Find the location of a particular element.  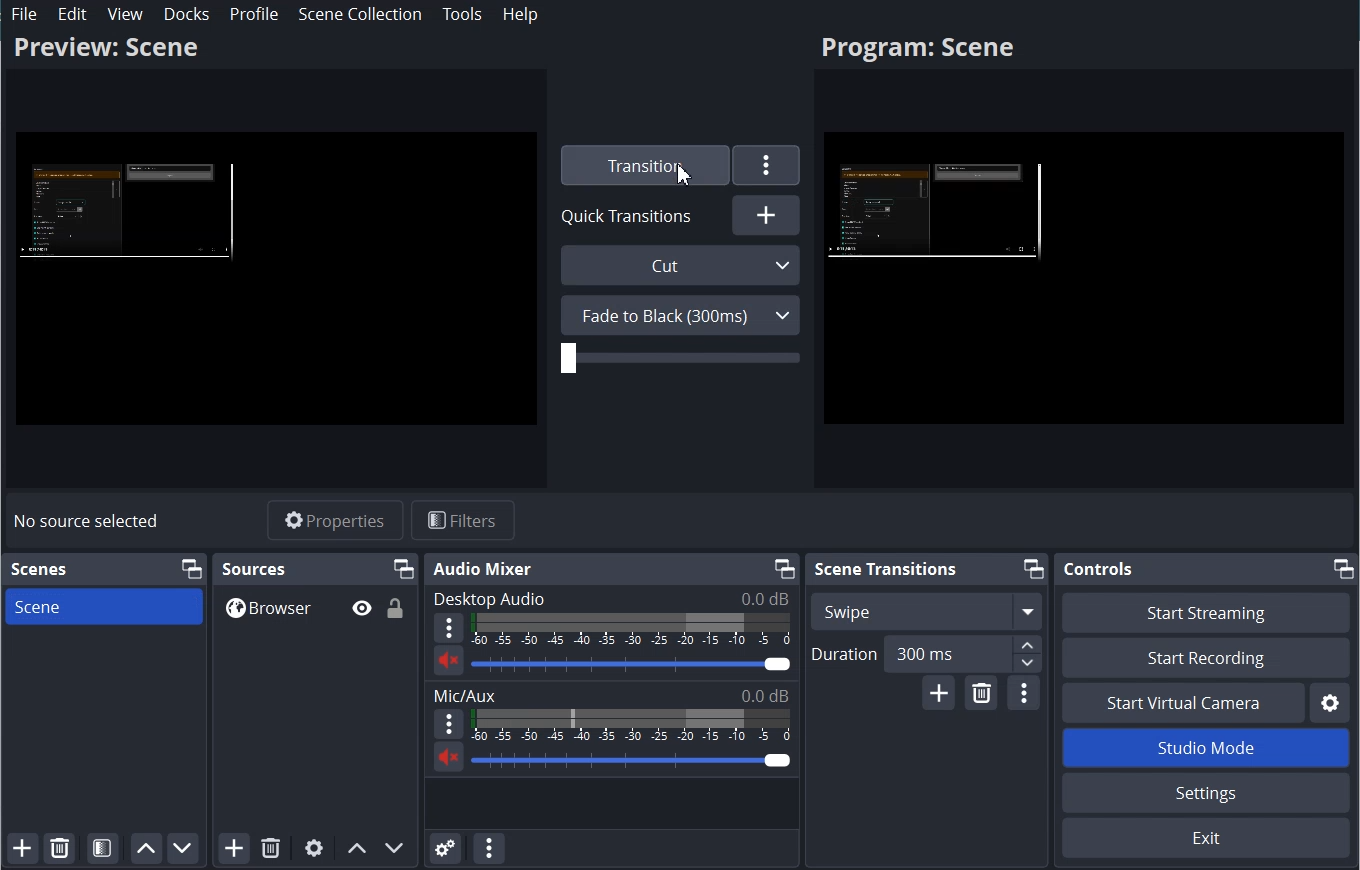

Edit is located at coordinates (73, 14).